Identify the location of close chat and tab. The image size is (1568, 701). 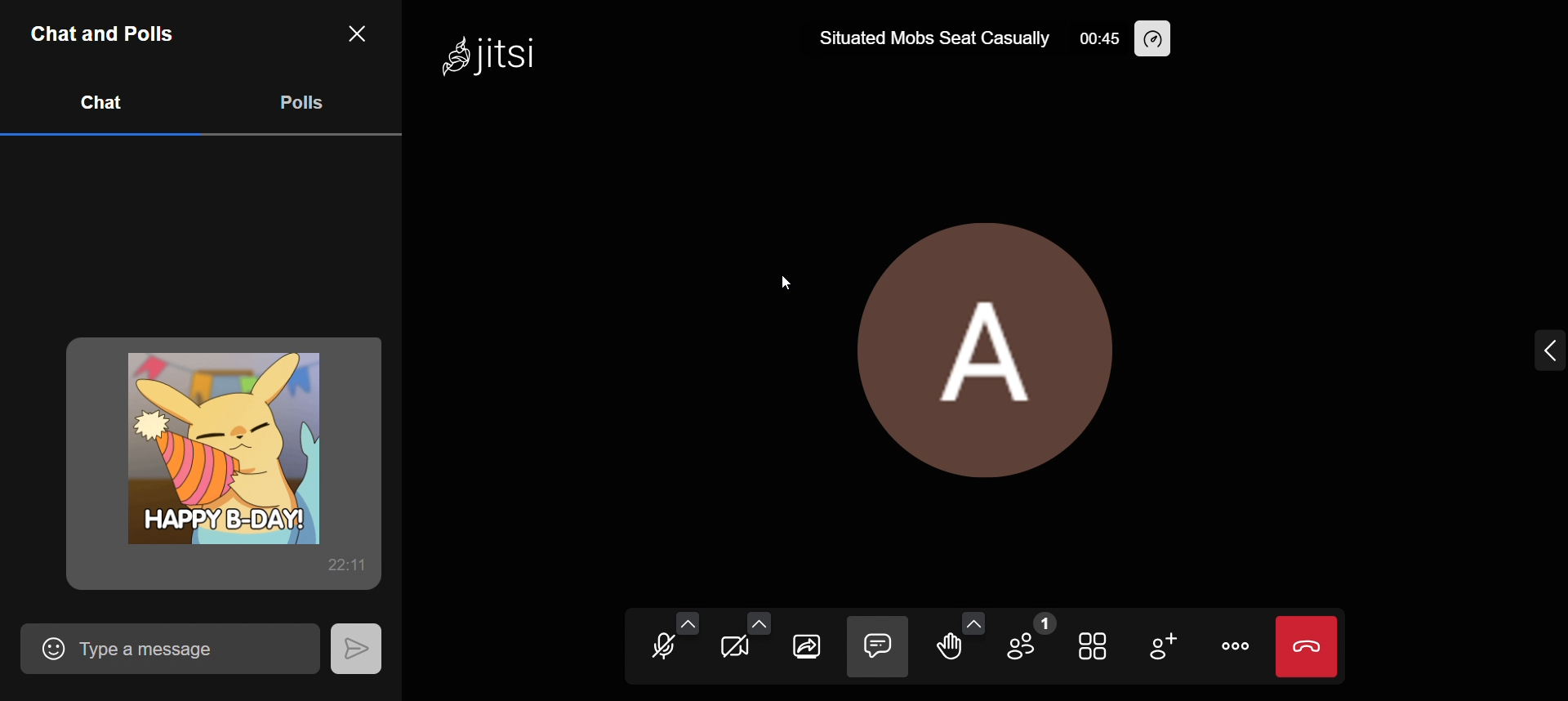
(352, 36).